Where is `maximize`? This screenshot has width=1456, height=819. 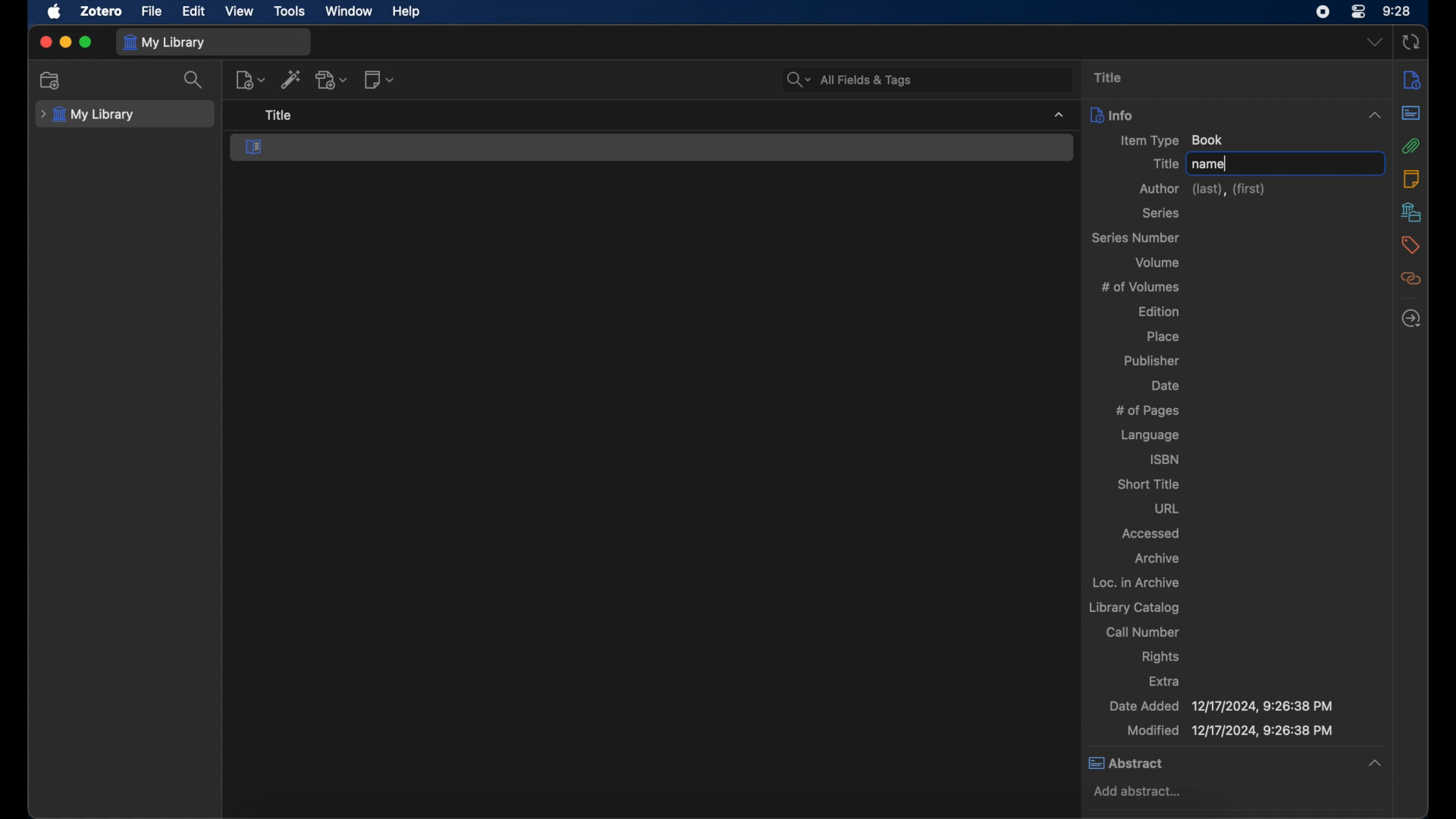 maximize is located at coordinates (86, 42).